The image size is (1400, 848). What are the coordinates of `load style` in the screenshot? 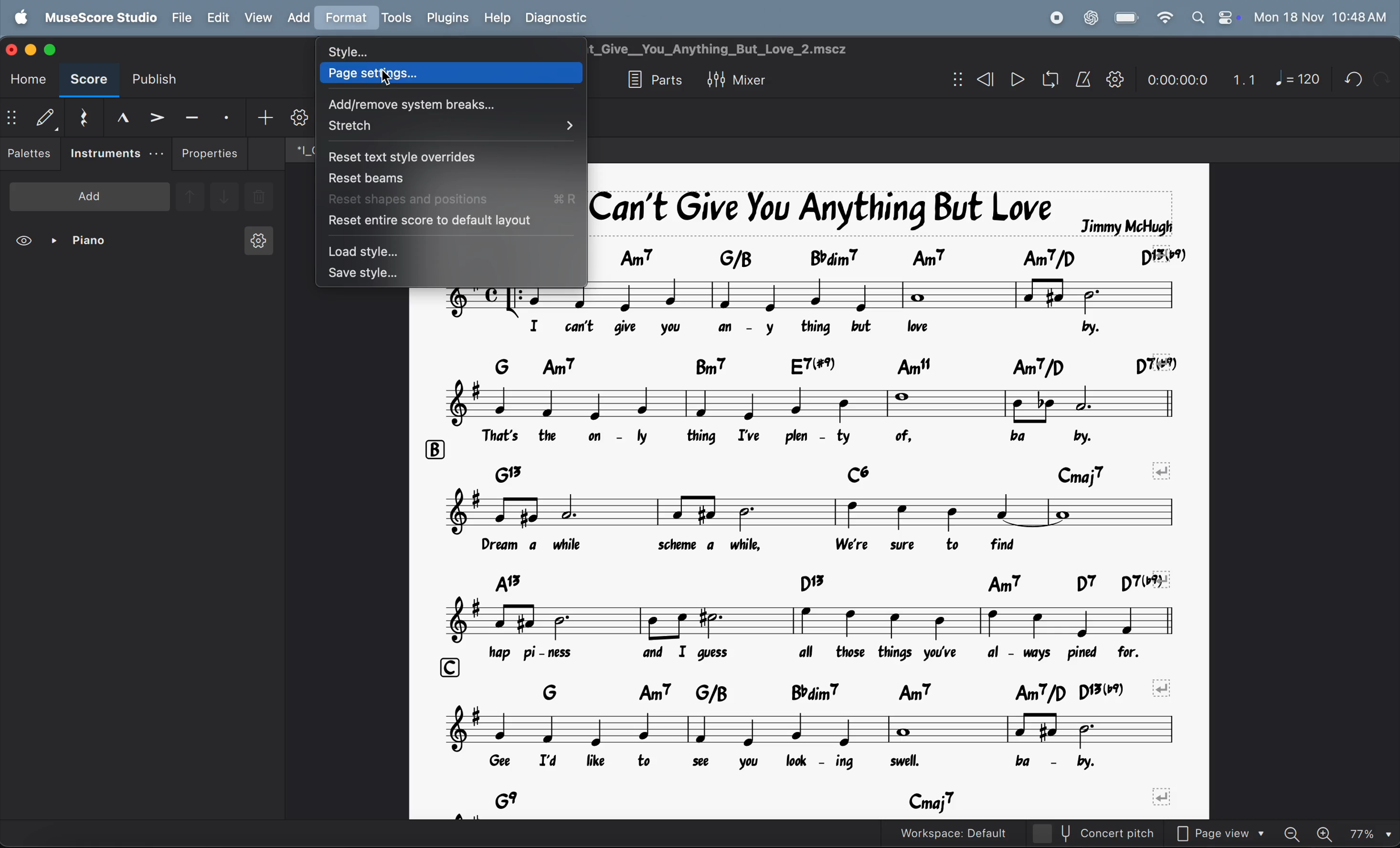 It's located at (447, 250).